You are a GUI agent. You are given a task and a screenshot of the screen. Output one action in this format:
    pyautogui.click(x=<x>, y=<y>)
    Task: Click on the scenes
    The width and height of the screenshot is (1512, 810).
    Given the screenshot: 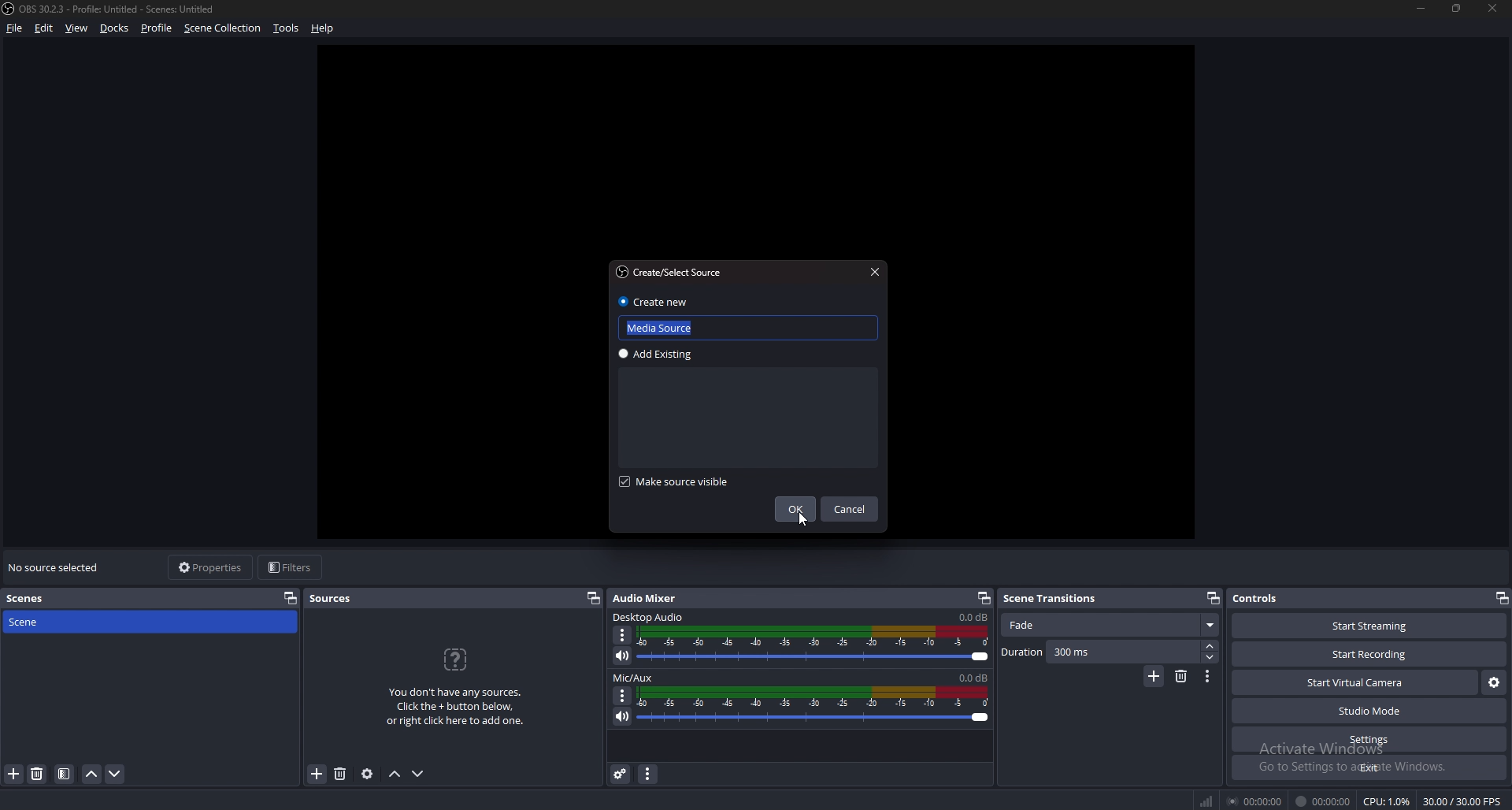 What is the action you would take?
    pyautogui.click(x=33, y=597)
    